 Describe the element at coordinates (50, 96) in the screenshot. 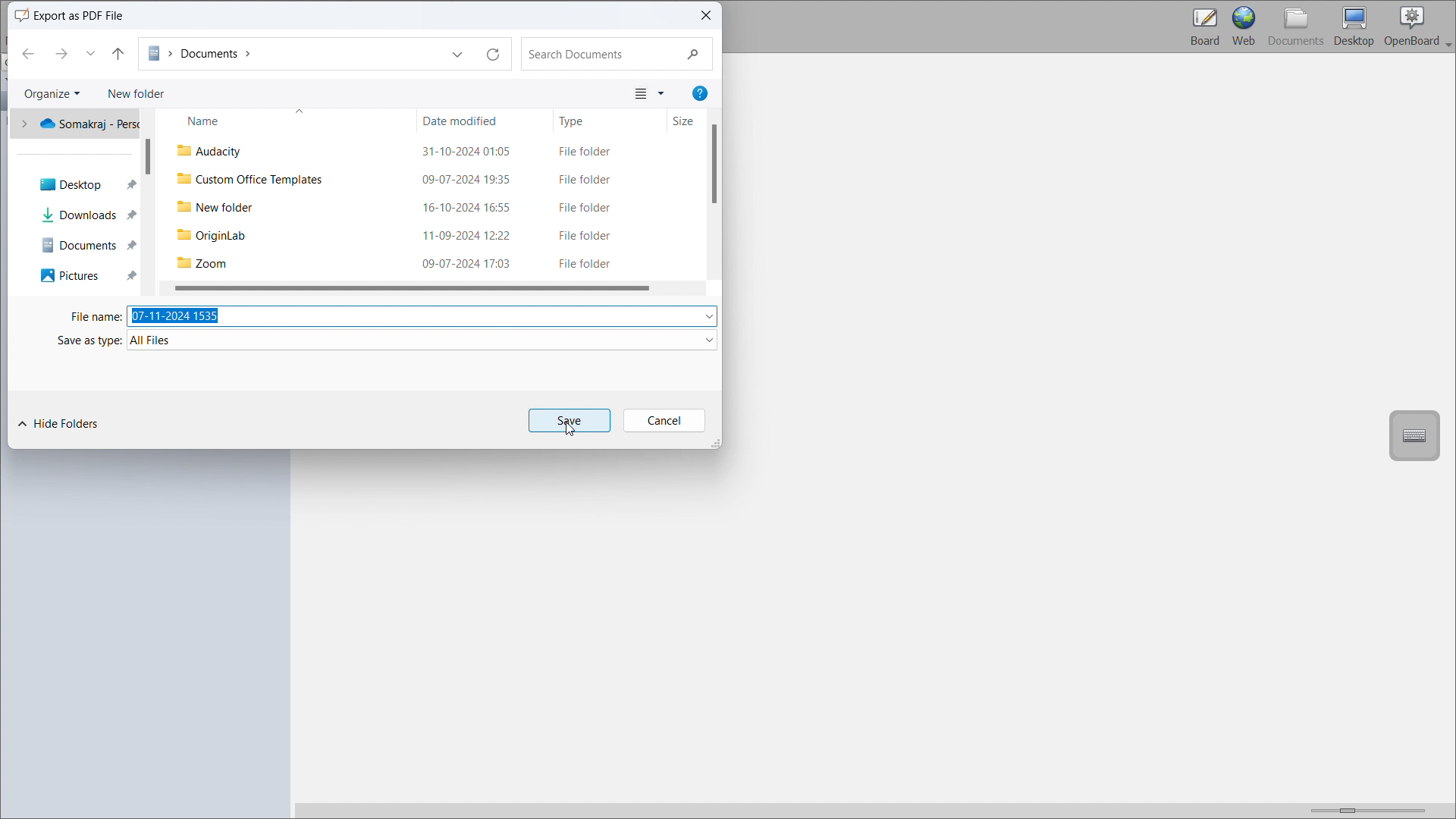

I see `organize` at that location.